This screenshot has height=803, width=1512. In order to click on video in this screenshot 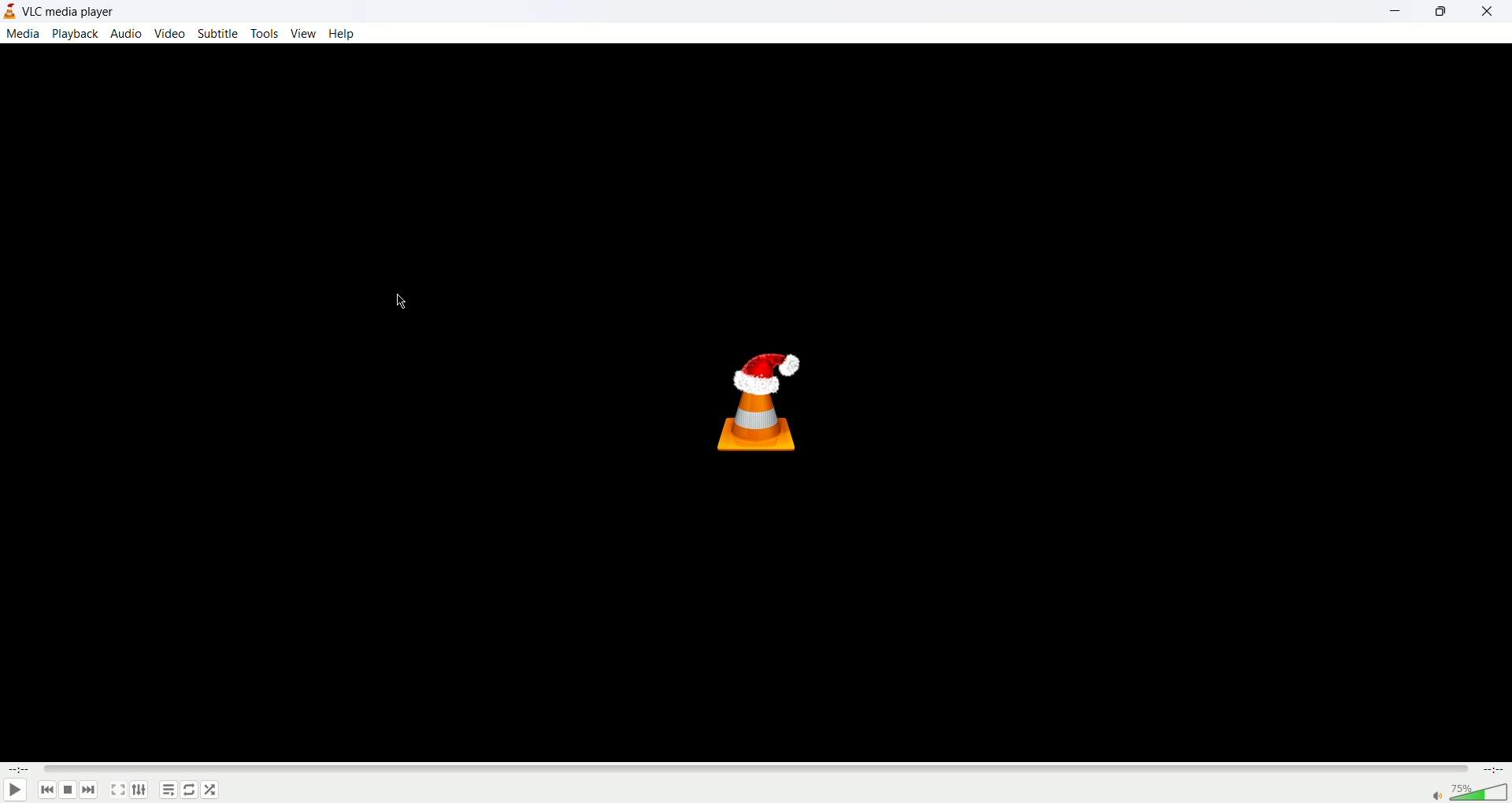, I will do `click(169, 34)`.